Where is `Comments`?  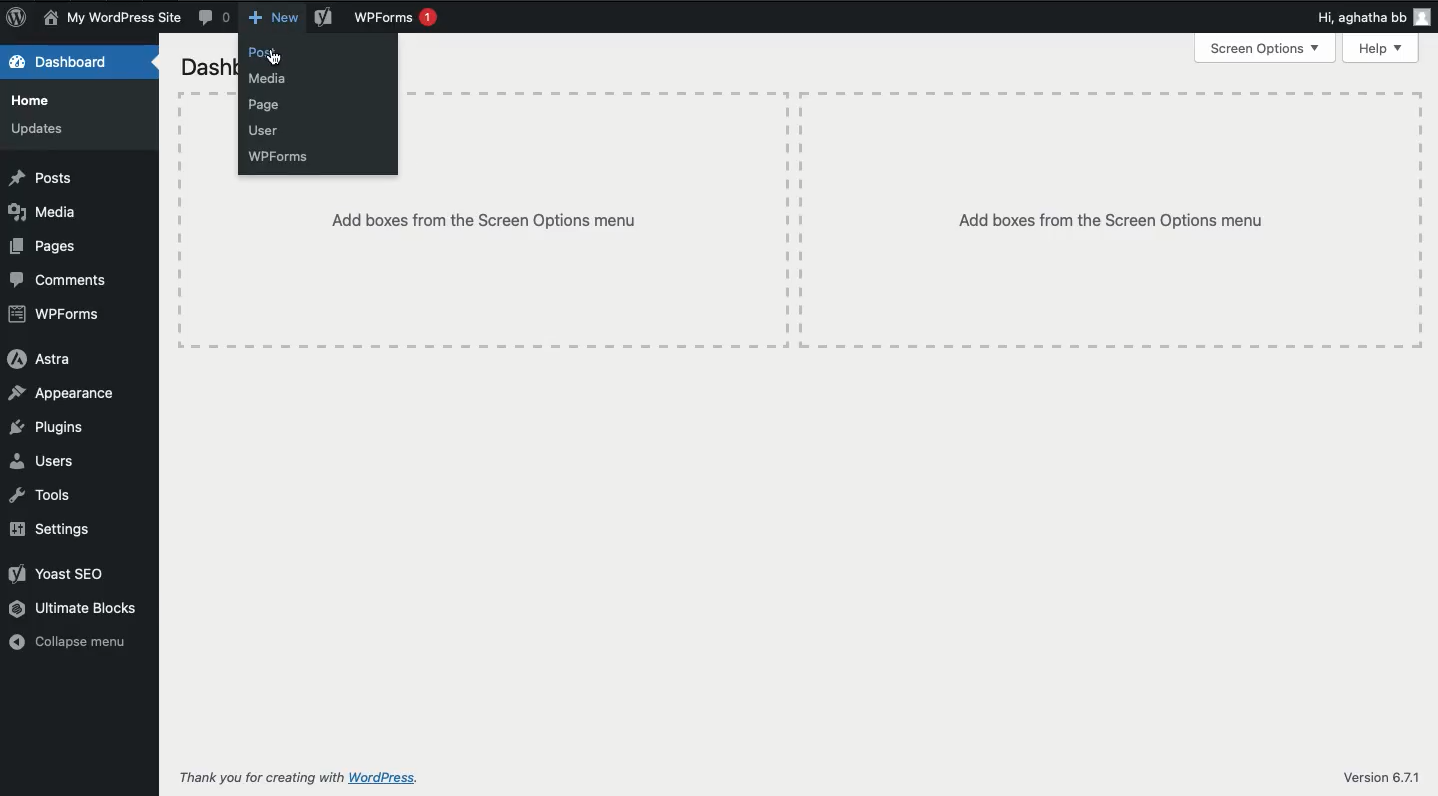 Comments is located at coordinates (59, 280).